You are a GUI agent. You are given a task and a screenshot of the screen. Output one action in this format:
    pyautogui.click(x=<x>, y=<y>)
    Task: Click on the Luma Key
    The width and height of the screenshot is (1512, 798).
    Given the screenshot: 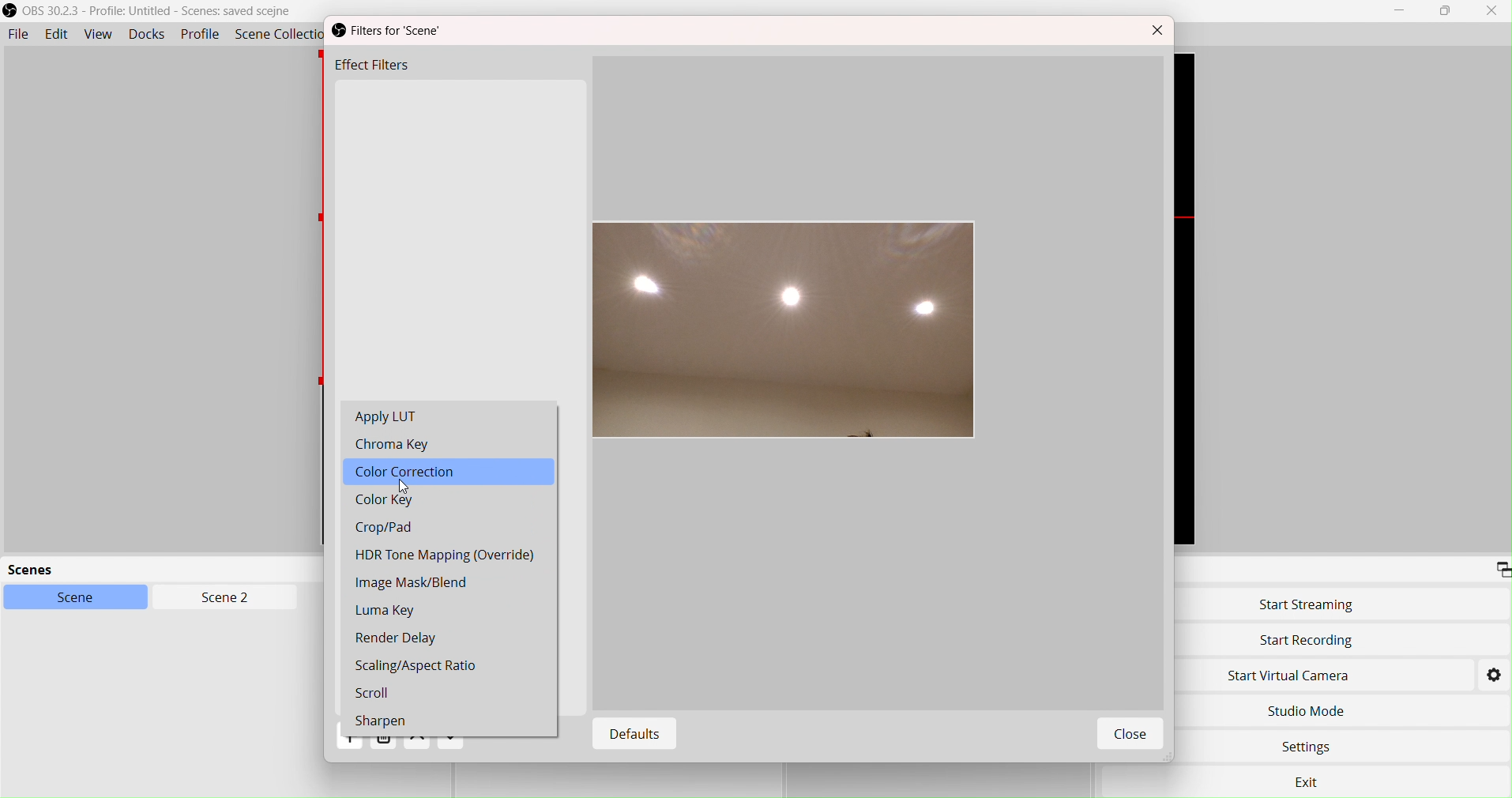 What is the action you would take?
    pyautogui.click(x=389, y=611)
    